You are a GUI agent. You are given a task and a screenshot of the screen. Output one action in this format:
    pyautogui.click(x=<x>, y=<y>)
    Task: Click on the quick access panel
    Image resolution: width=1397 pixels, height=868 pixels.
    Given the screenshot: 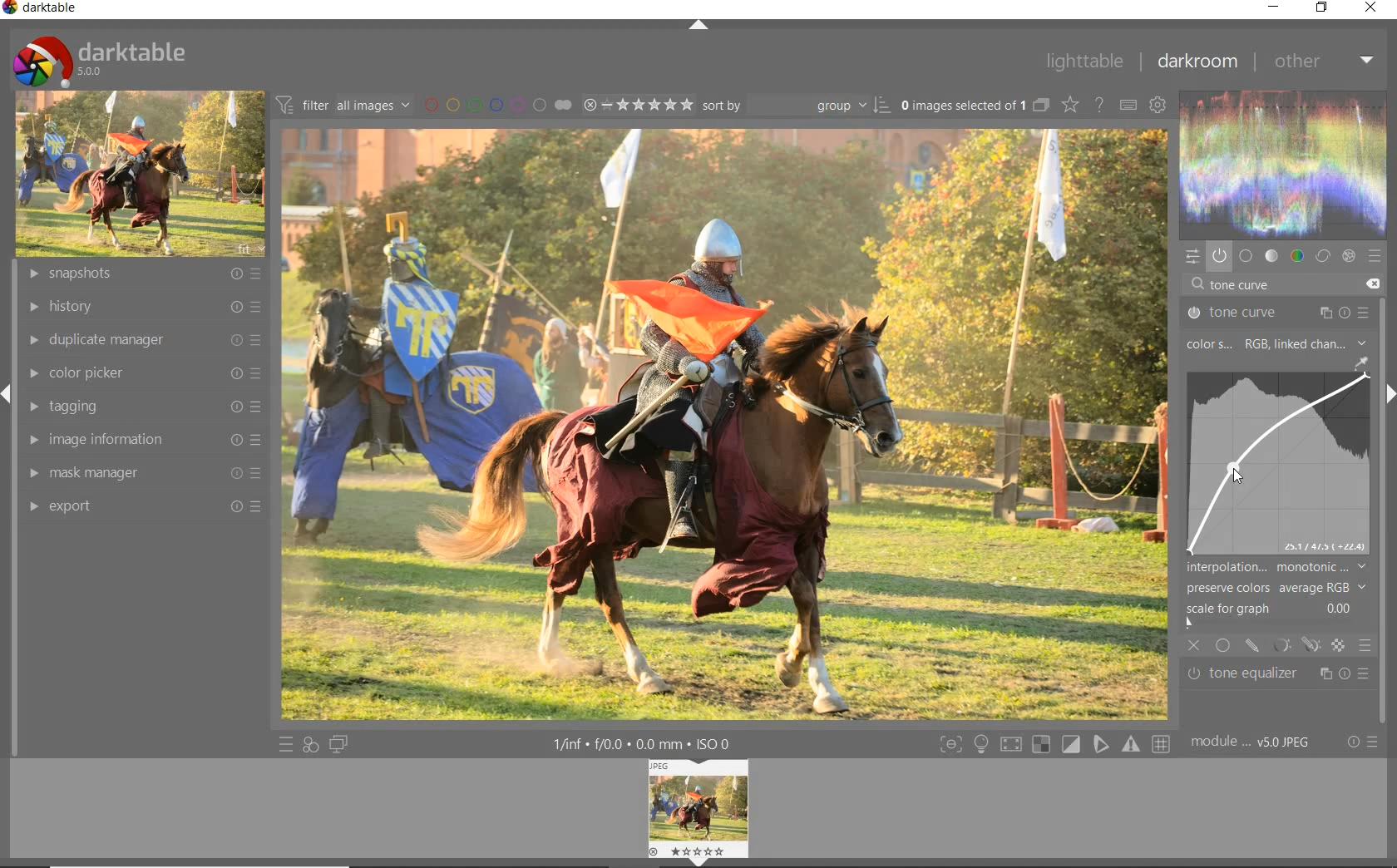 What is the action you would take?
    pyautogui.click(x=1190, y=256)
    